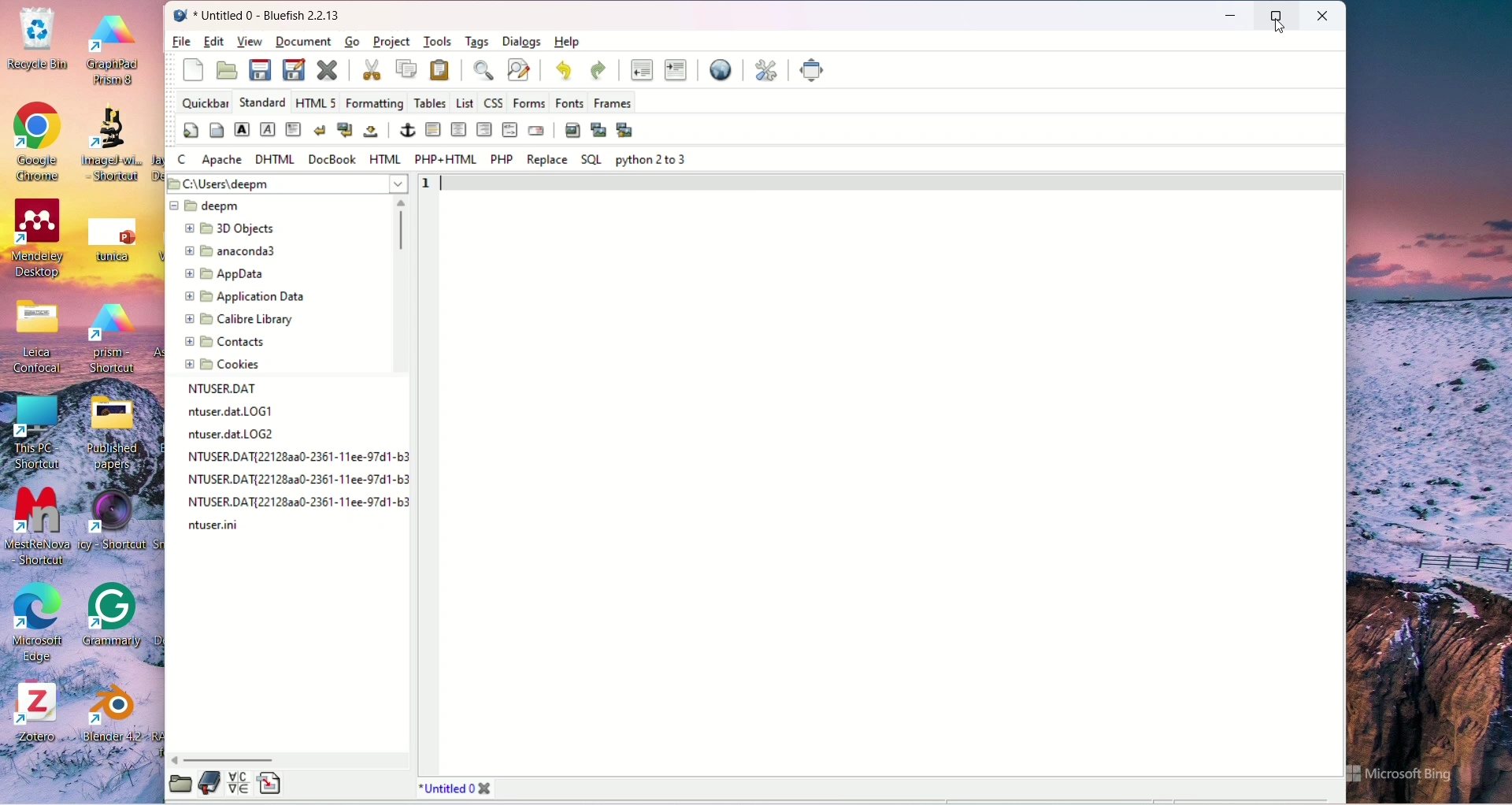 The height and width of the screenshot is (805, 1512). I want to click on close, so click(1325, 16).